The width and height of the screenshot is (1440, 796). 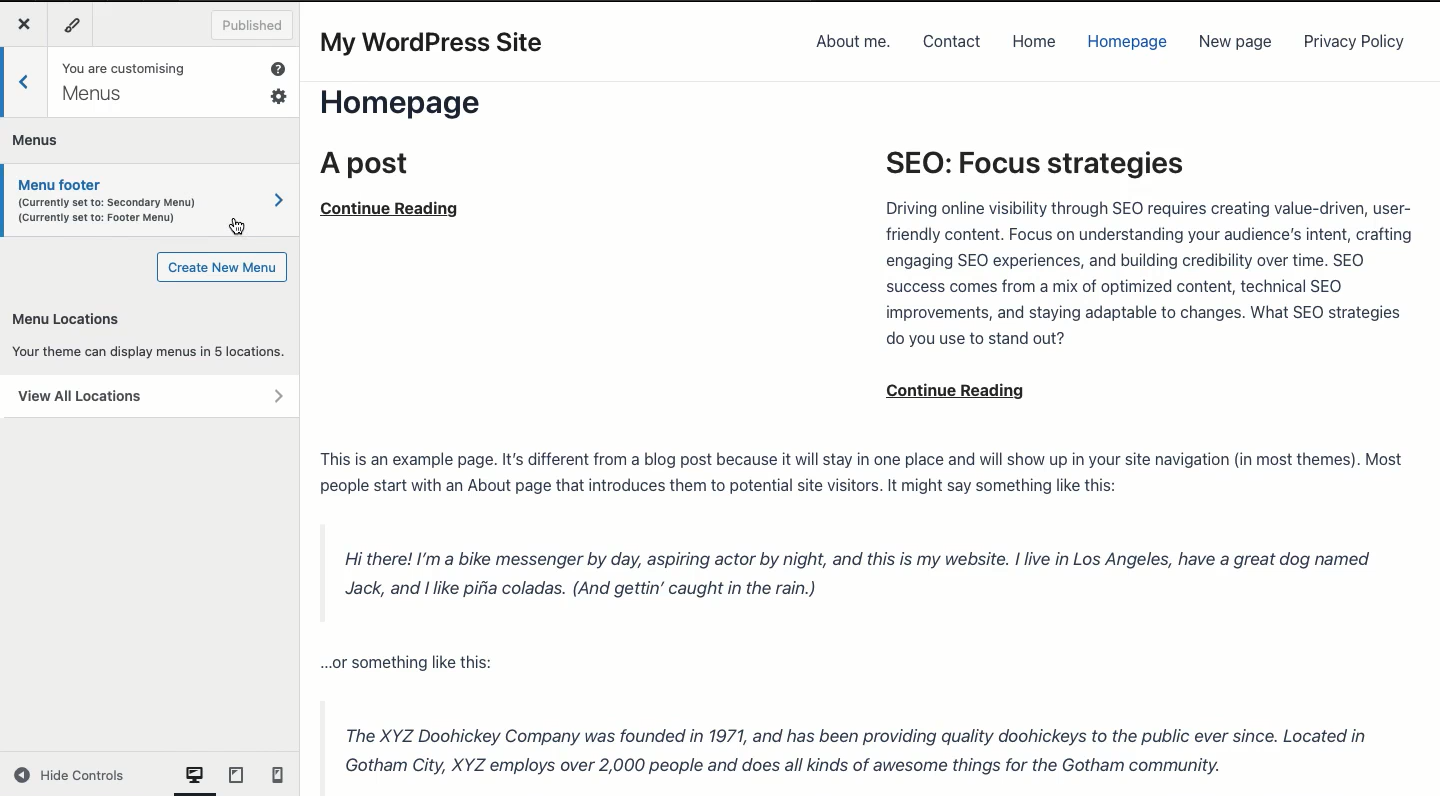 What do you see at coordinates (436, 44) in the screenshot?
I see `My WordPress Site` at bounding box center [436, 44].